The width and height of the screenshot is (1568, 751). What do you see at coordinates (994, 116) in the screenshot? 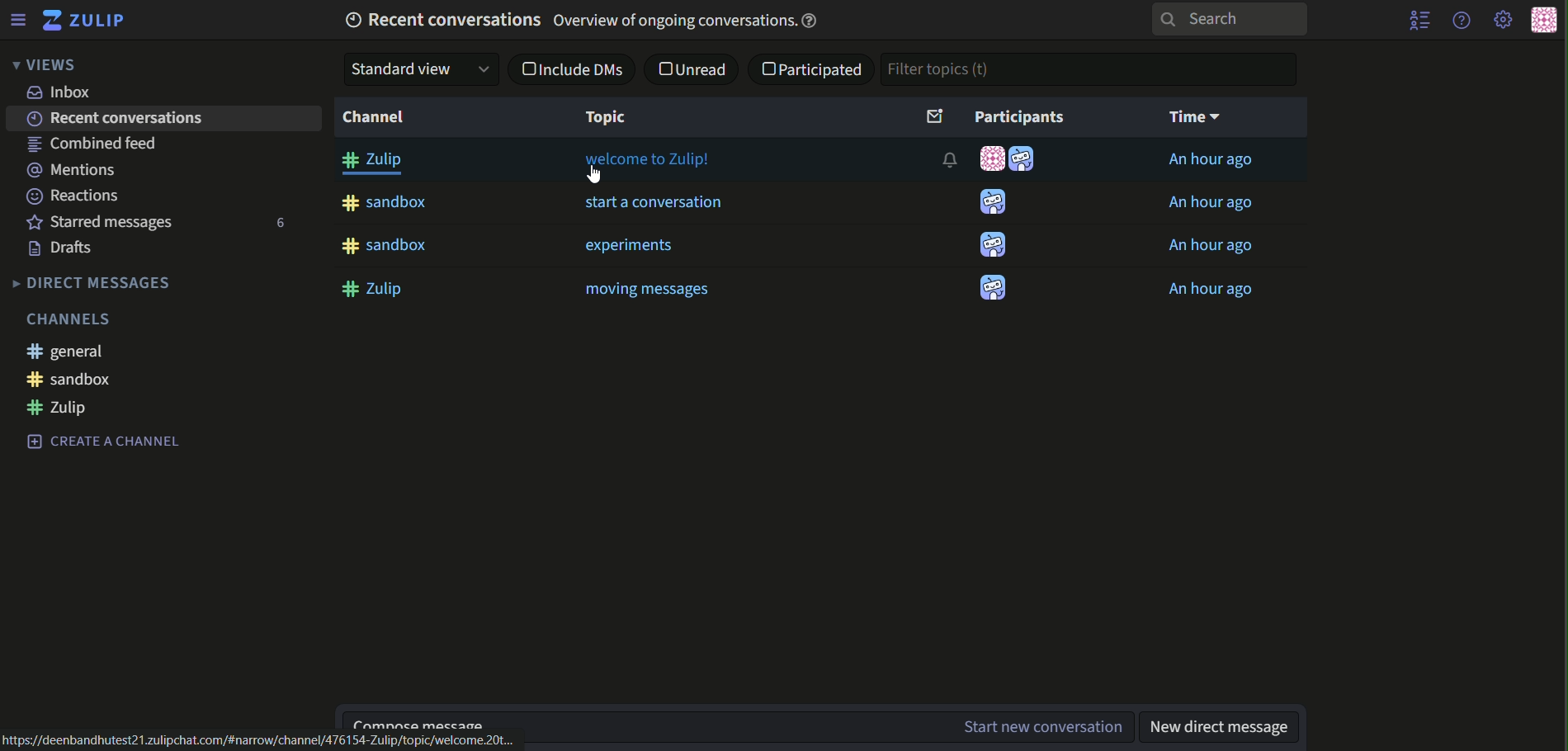
I see `participants` at bounding box center [994, 116].